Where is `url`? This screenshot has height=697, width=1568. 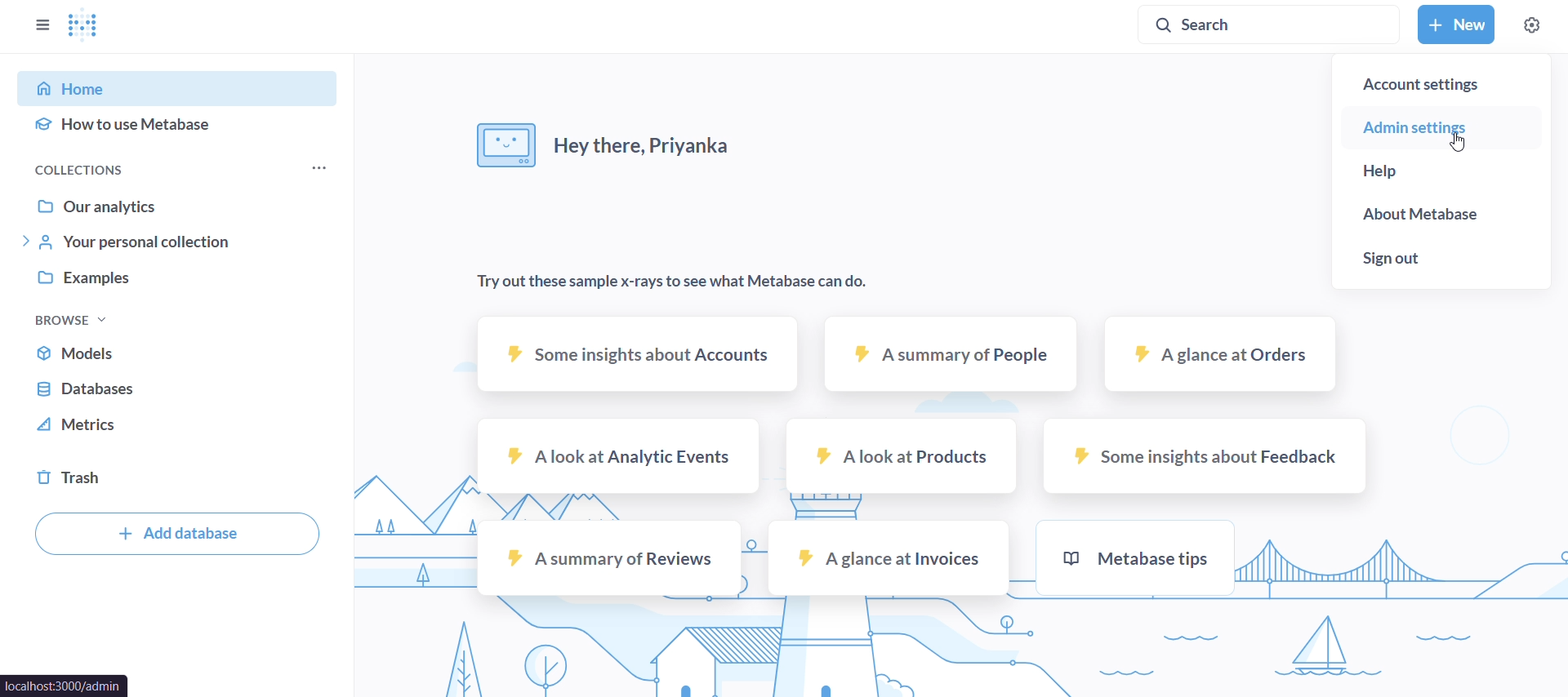
url is located at coordinates (65, 686).